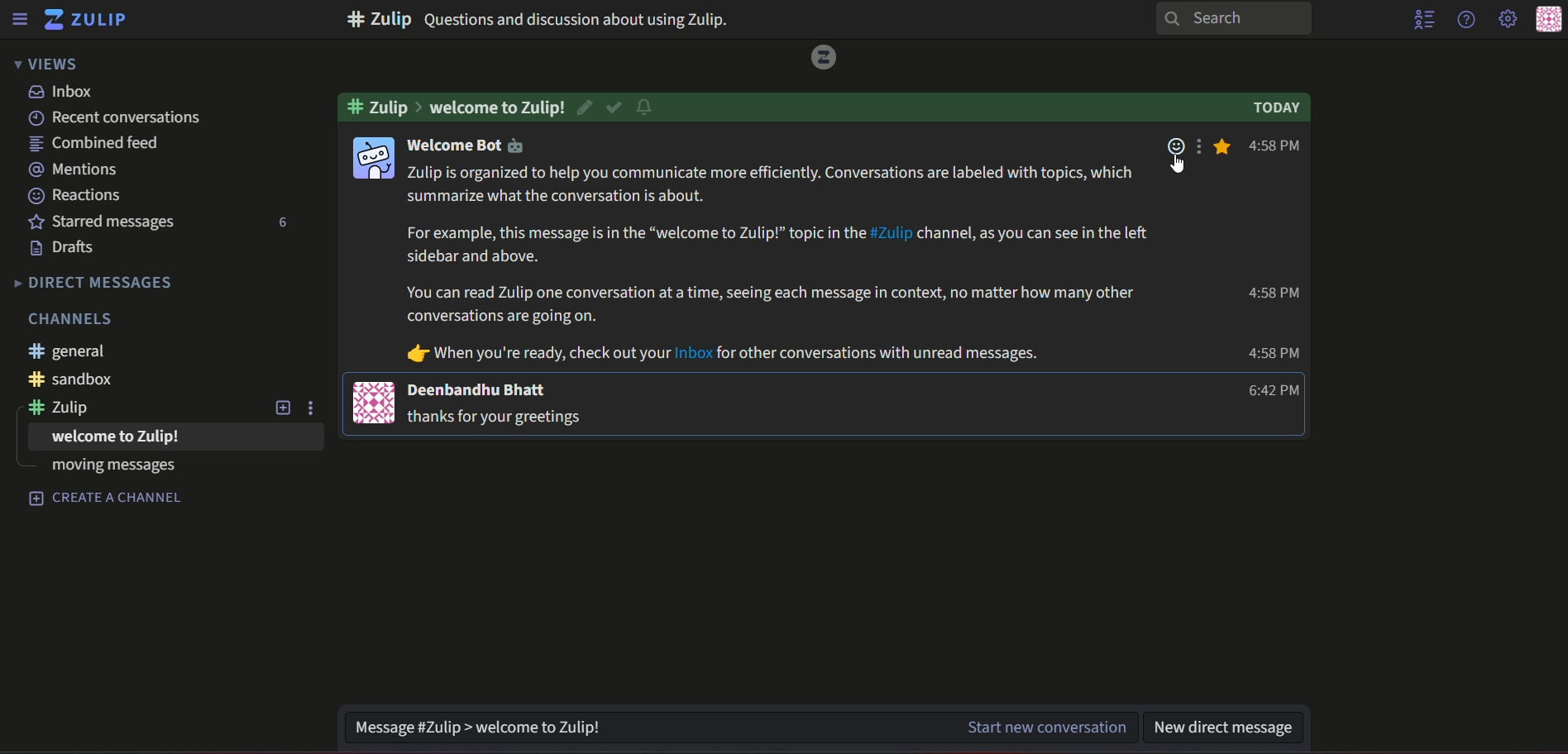  Describe the element at coordinates (107, 222) in the screenshot. I see `Starred Messages` at that location.